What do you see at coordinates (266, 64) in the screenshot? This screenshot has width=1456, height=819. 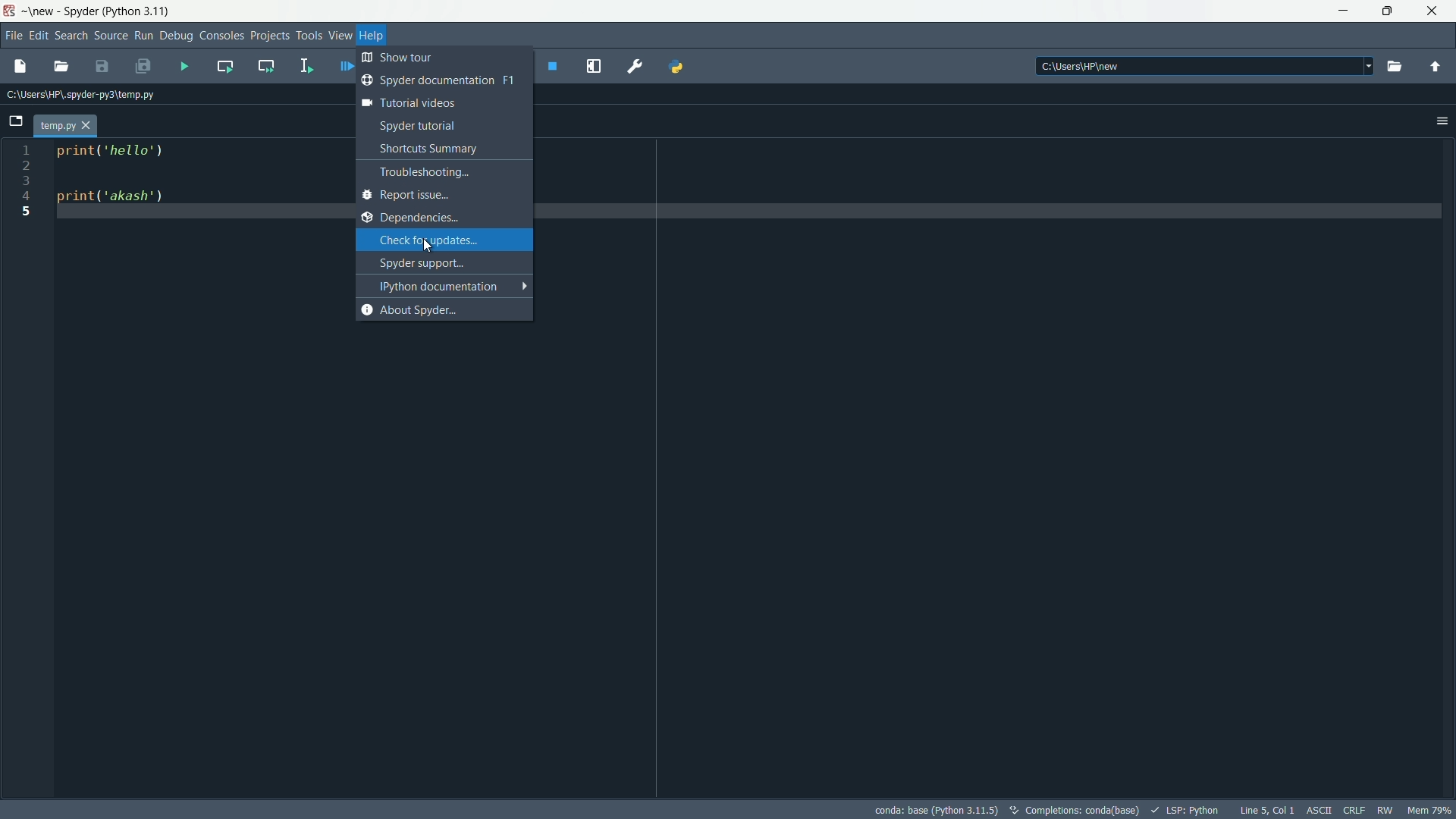 I see `run current cell and go to the next one` at bounding box center [266, 64].